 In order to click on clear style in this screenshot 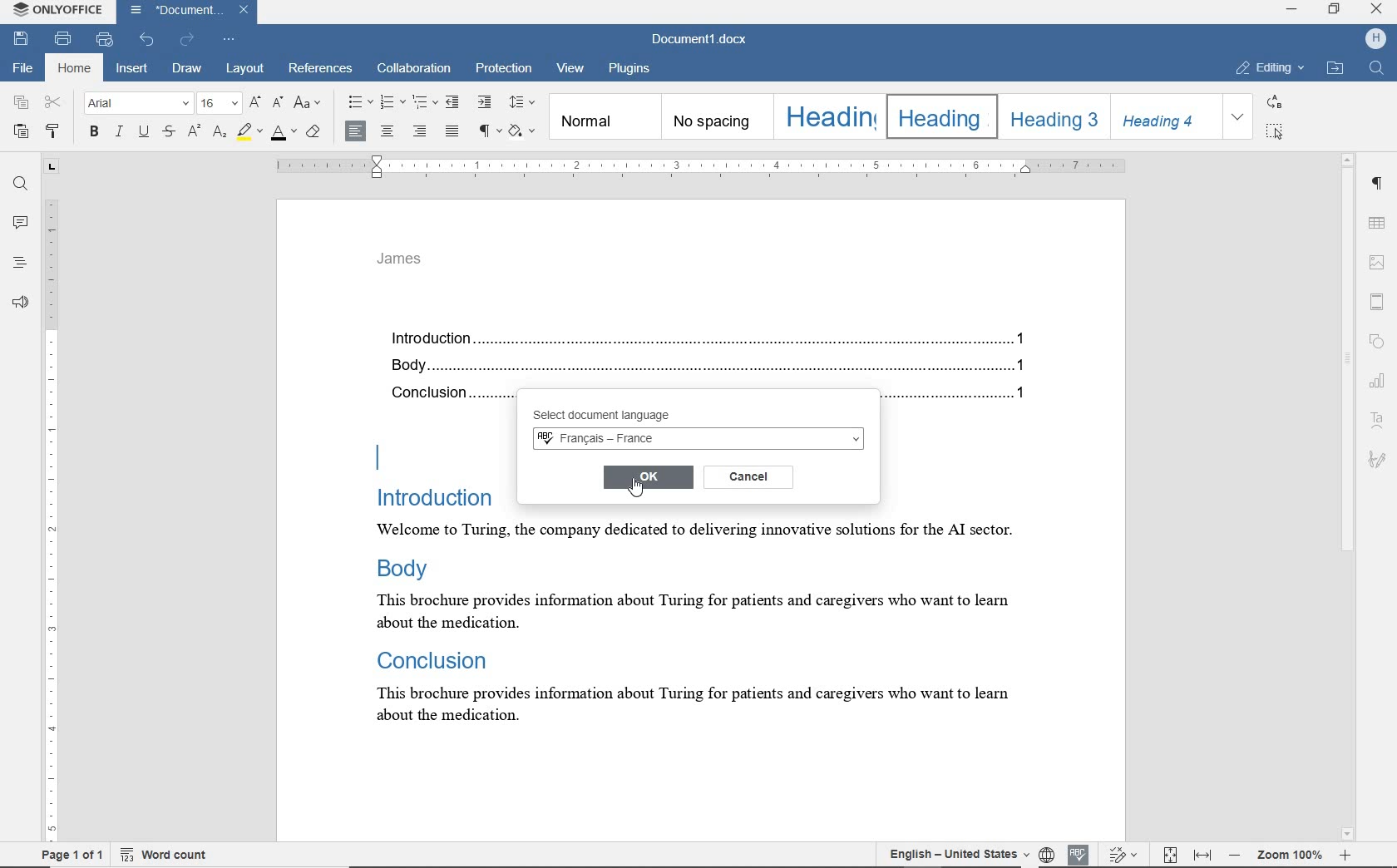, I will do `click(315, 132)`.